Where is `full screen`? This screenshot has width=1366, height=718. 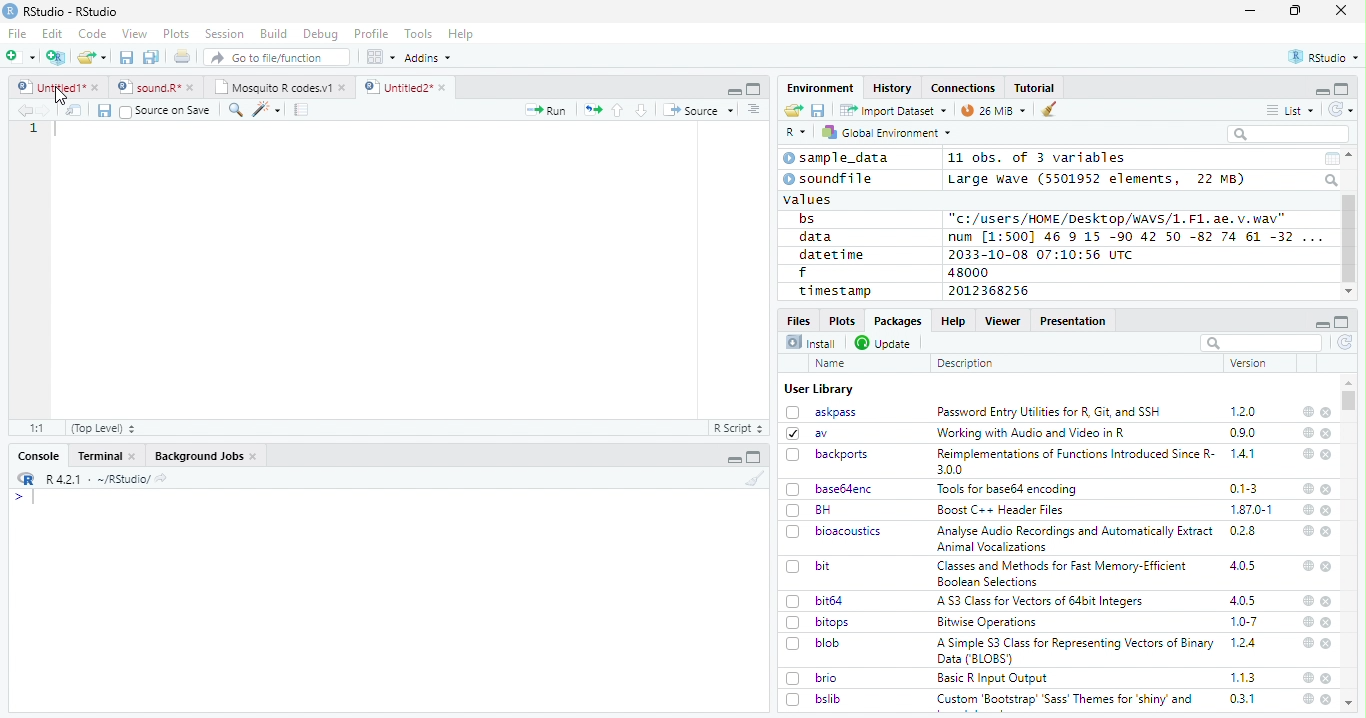 full screen is located at coordinates (1342, 322).